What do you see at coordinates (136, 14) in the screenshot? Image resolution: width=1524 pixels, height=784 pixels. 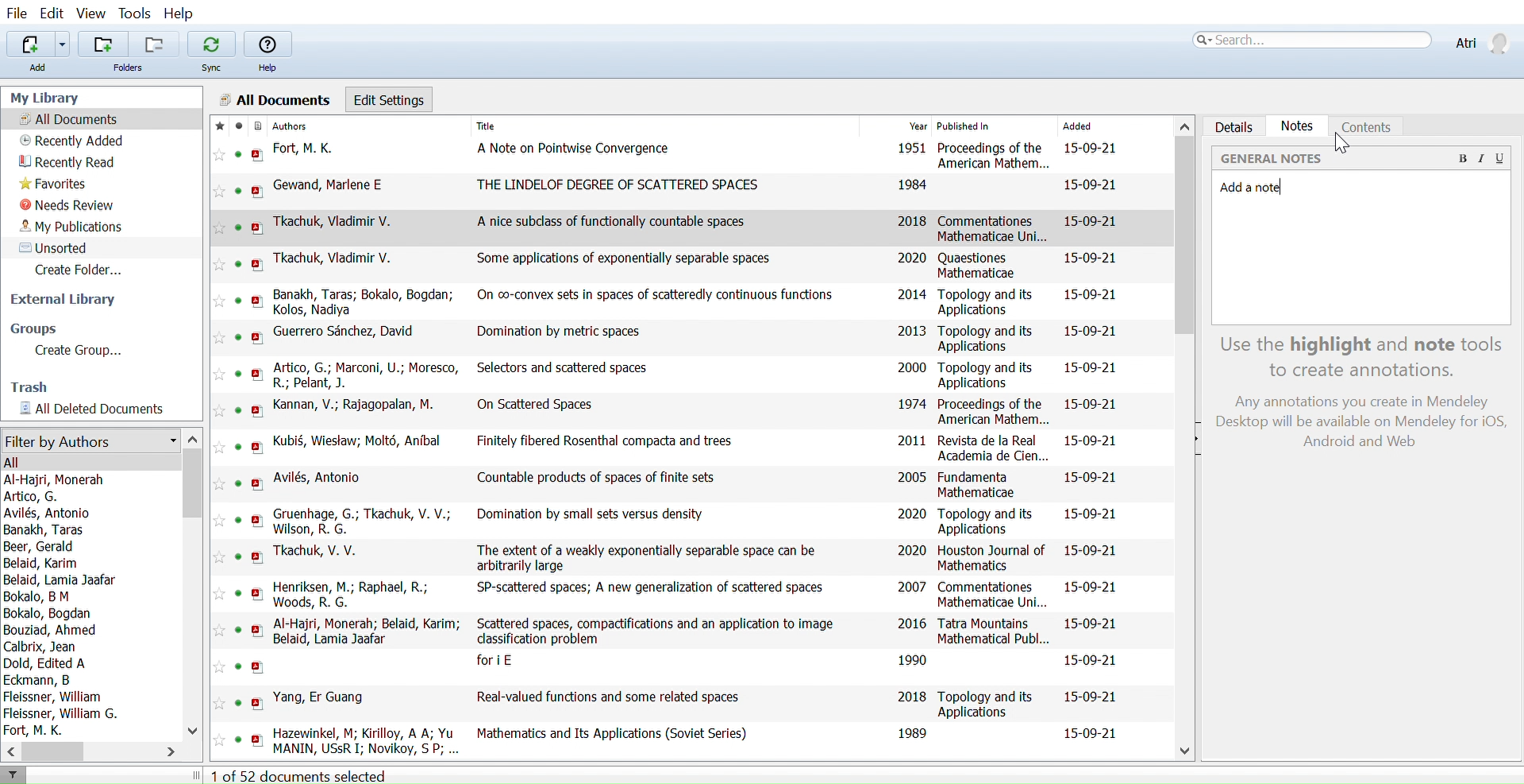 I see `Tools` at bounding box center [136, 14].